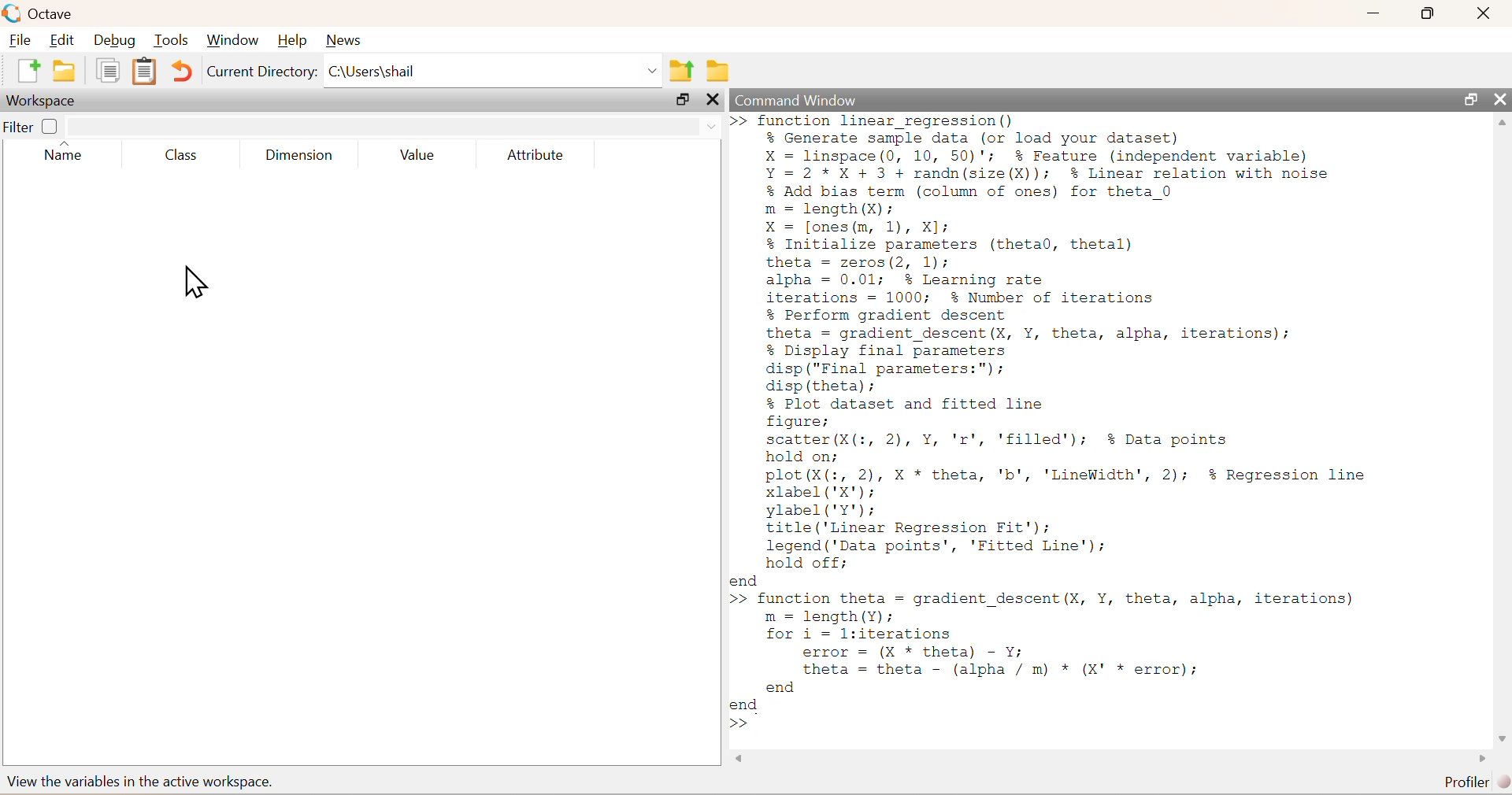 The width and height of the screenshot is (1512, 795). I want to click on close, so click(712, 99).